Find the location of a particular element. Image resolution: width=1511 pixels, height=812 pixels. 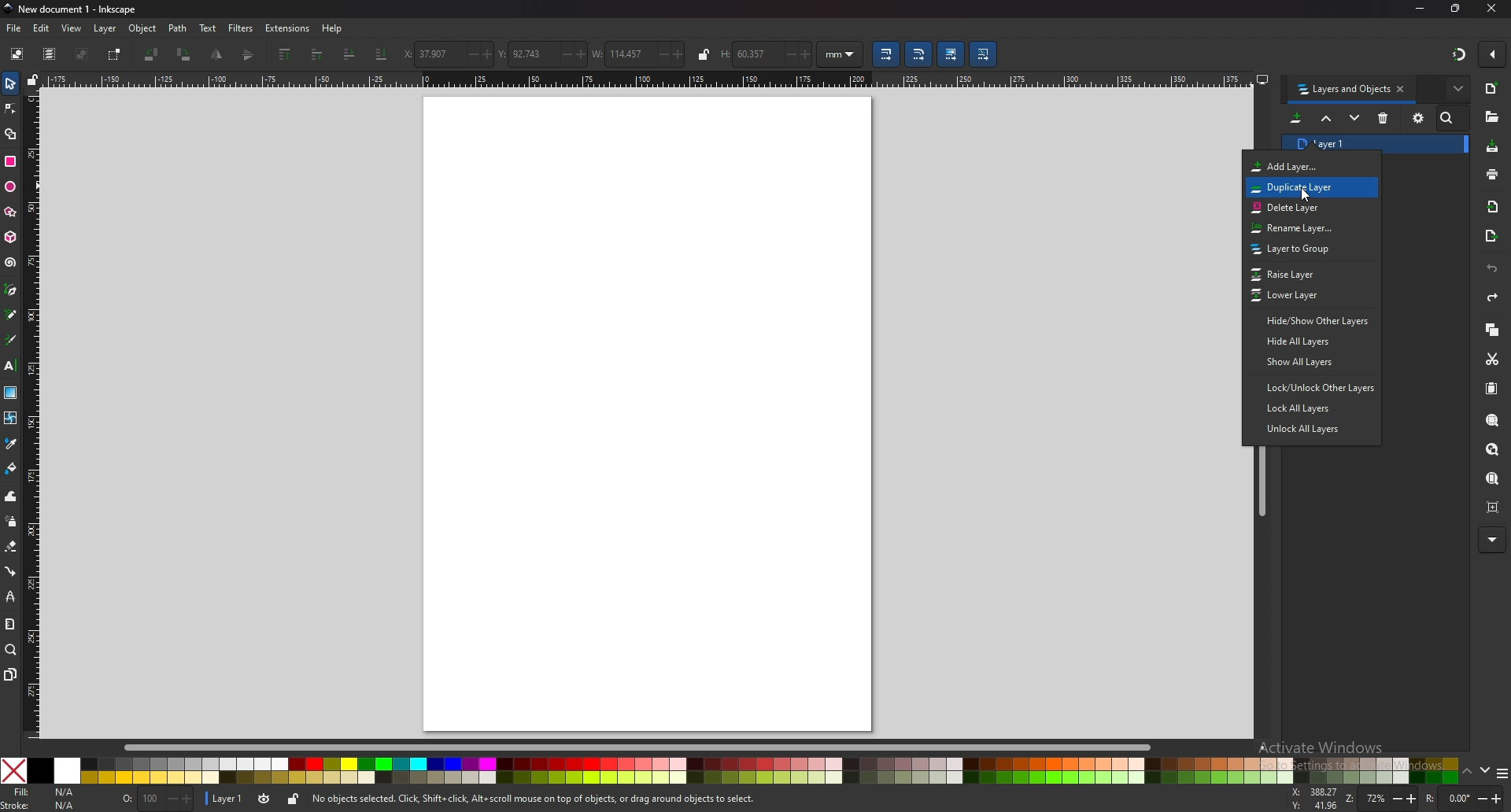

scale stroke width is located at coordinates (885, 54).